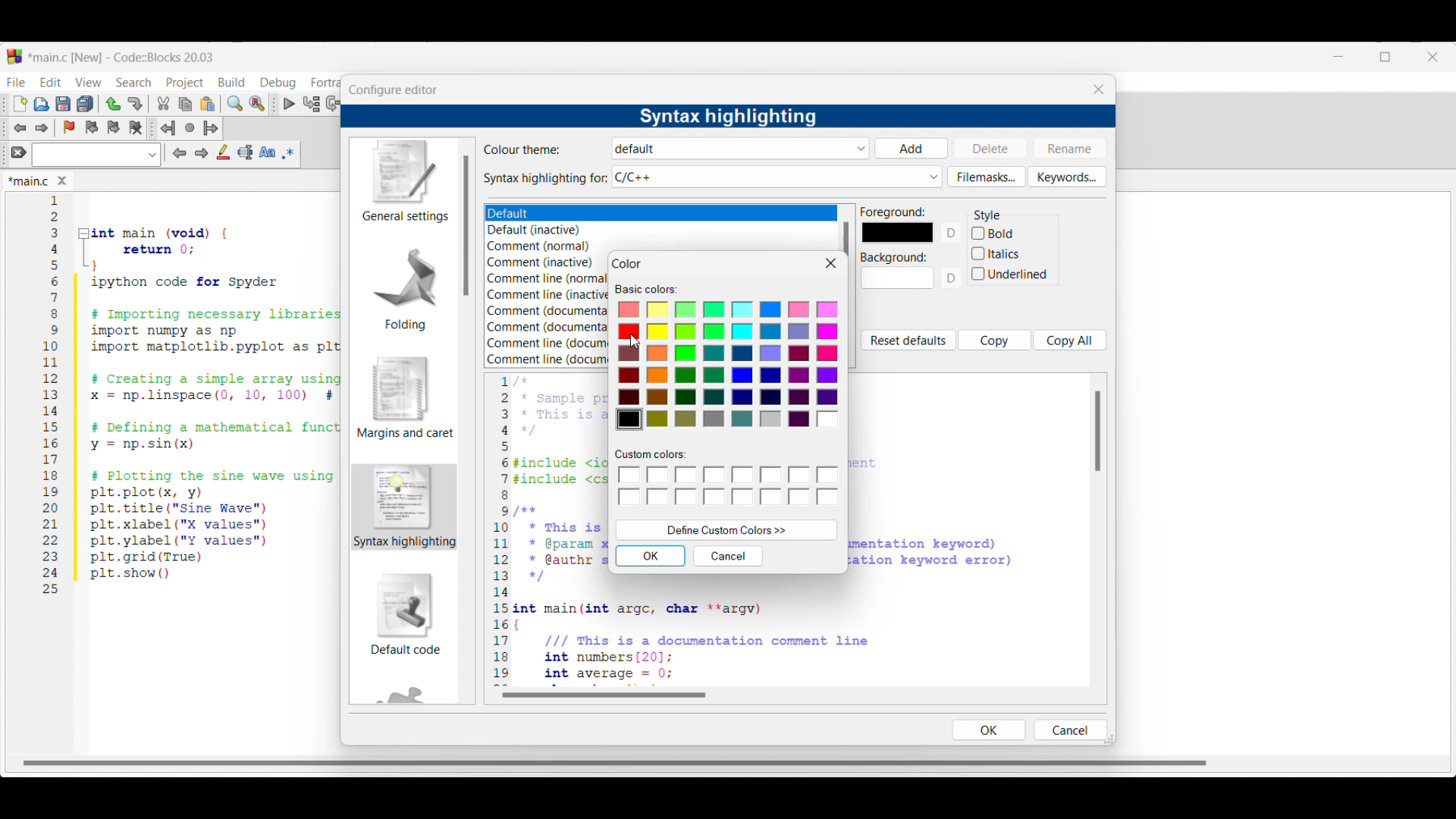  What do you see at coordinates (953, 233) in the screenshot?
I see `D` at bounding box center [953, 233].